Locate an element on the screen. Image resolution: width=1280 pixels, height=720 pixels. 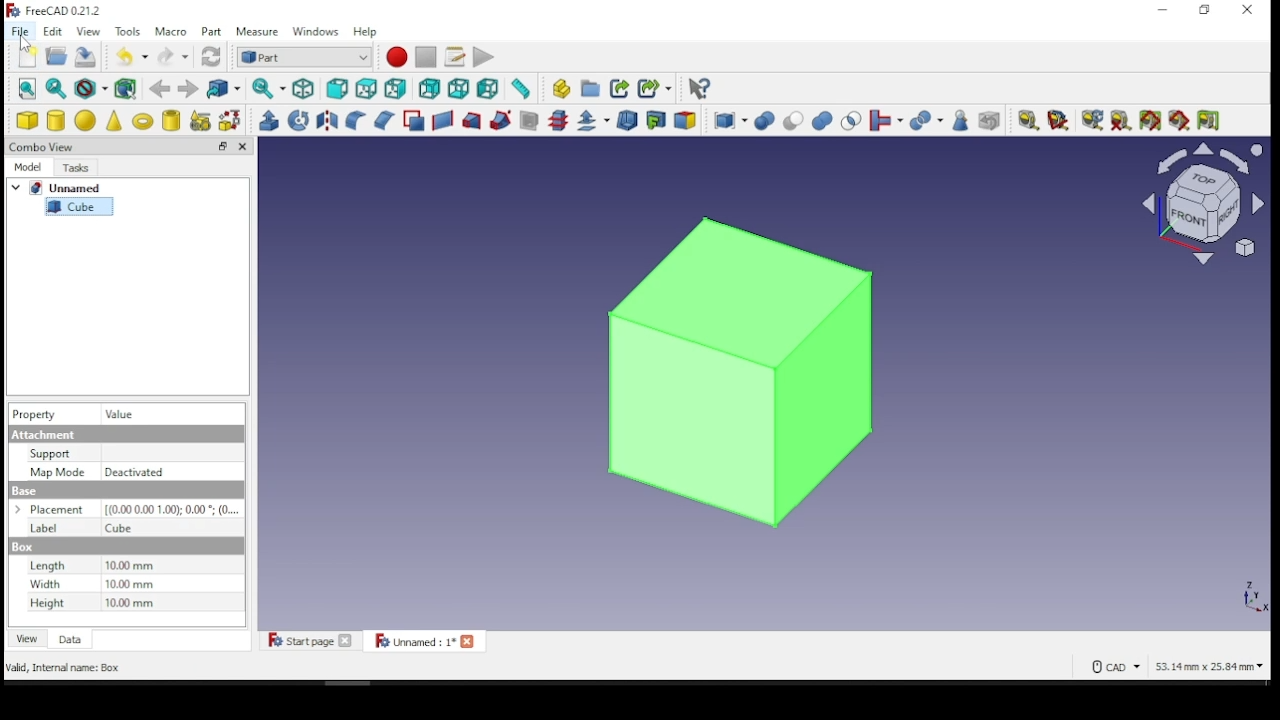
refresh is located at coordinates (211, 57).